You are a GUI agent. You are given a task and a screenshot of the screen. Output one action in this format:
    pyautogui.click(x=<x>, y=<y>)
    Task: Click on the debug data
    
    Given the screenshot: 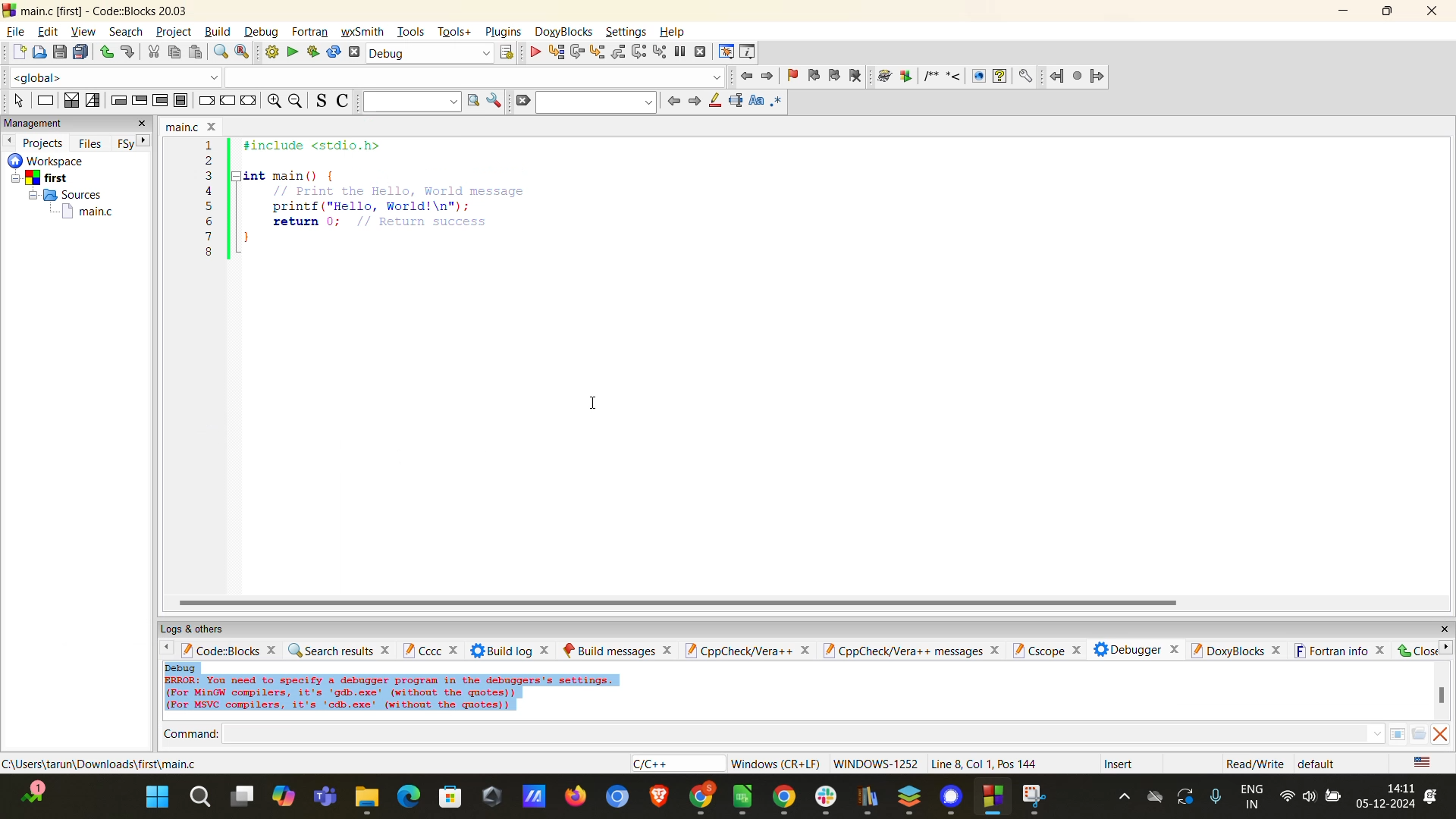 What is the action you would take?
    pyautogui.click(x=435, y=692)
    